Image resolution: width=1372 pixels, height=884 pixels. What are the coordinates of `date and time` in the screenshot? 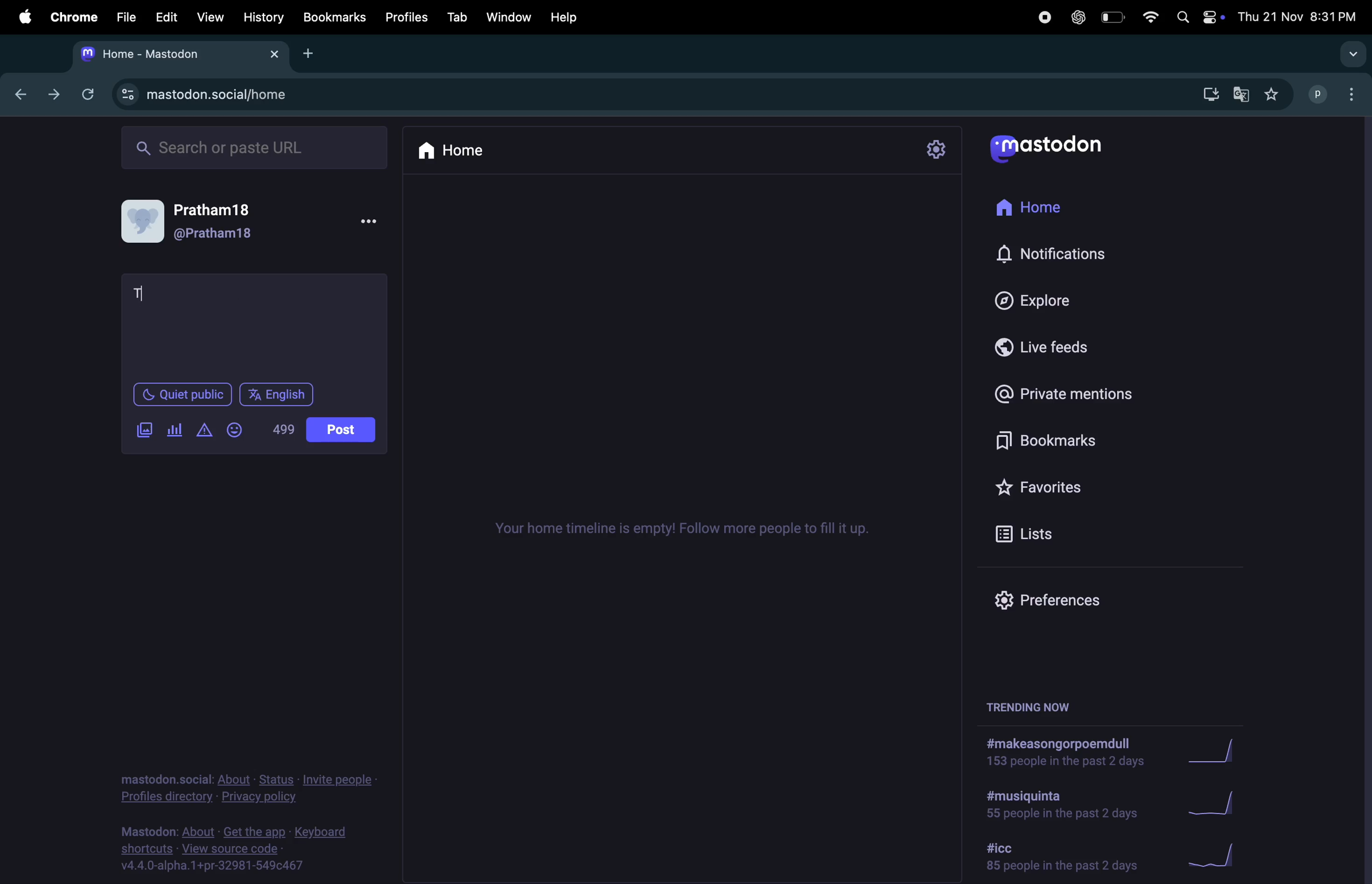 It's located at (1300, 17).